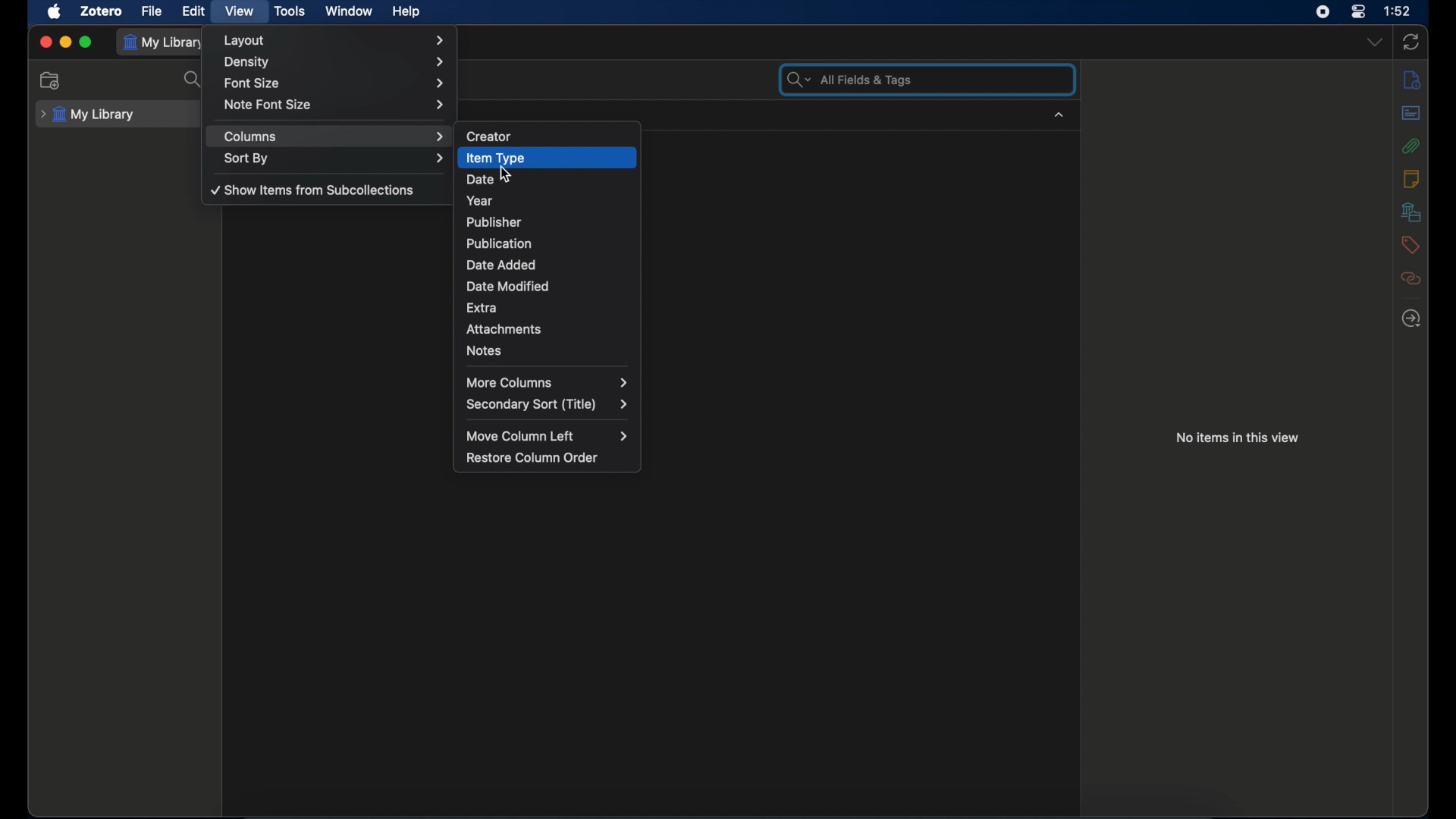 The image size is (1456, 819). What do you see at coordinates (490, 135) in the screenshot?
I see `creator` at bounding box center [490, 135].